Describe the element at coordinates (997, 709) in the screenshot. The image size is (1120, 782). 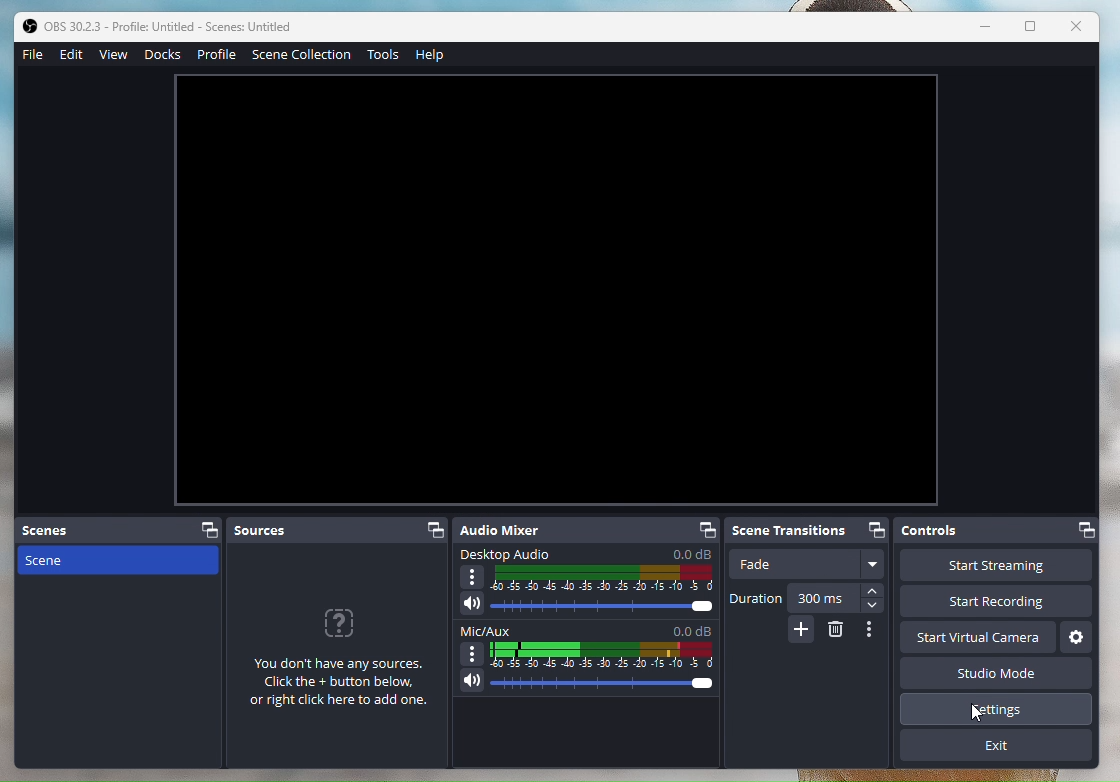
I see `Settings` at that location.